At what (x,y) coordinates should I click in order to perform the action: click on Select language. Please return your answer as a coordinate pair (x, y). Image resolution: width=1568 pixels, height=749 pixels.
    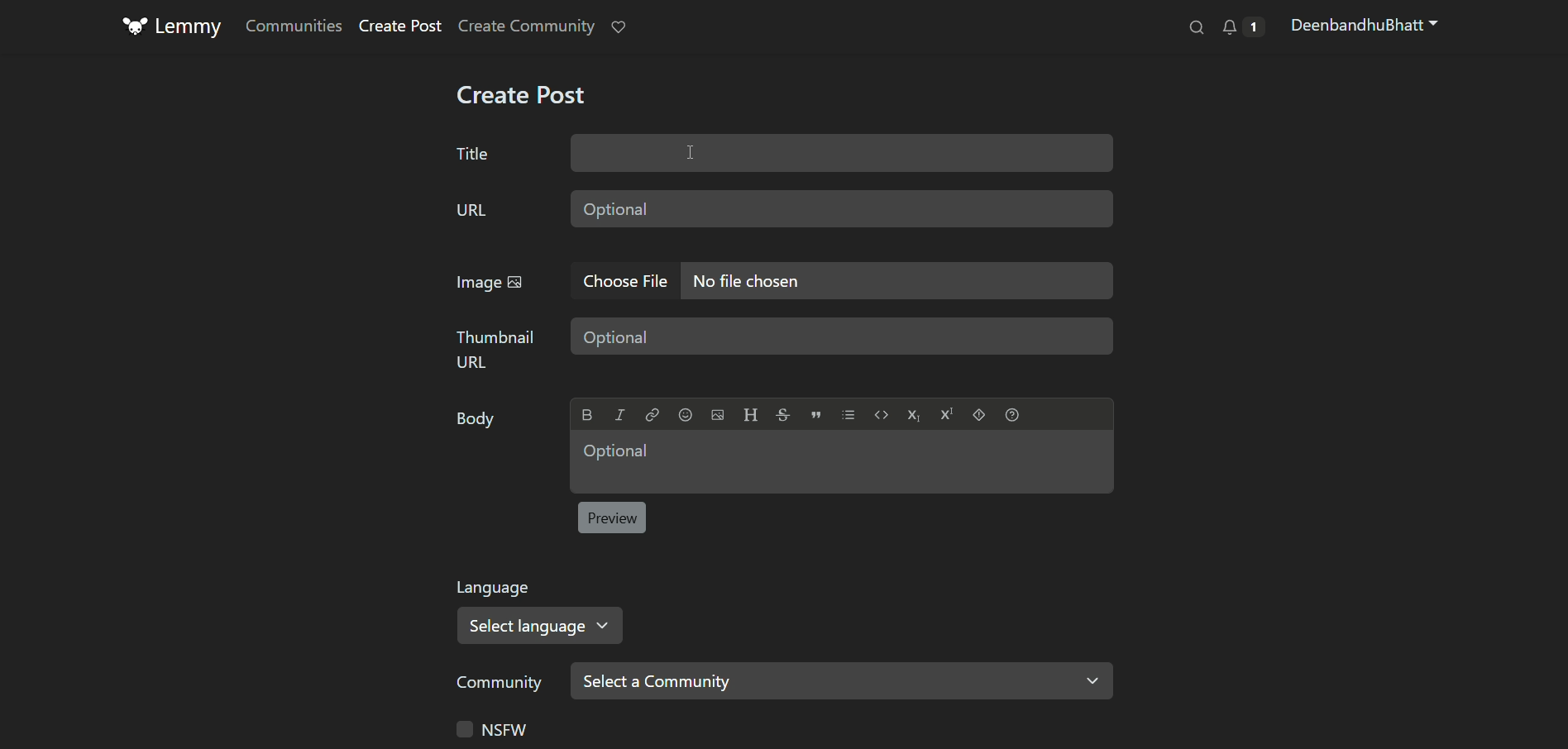
    Looking at the image, I should click on (546, 625).